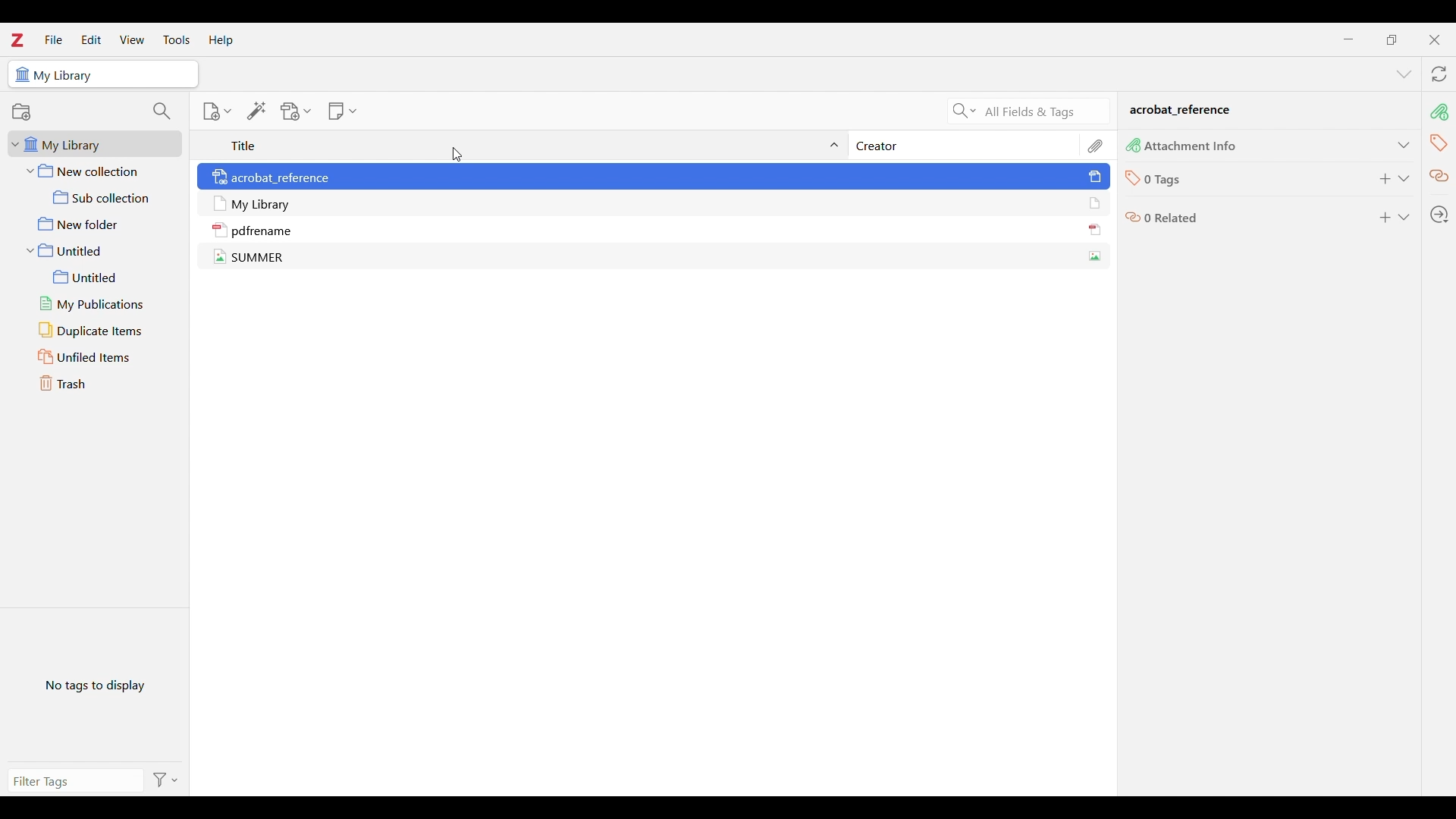 This screenshot has width=1456, height=819. What do you see at coordinates (98, 224) in the screenshot?
I see `New folder` at bounding box center [98, 224].